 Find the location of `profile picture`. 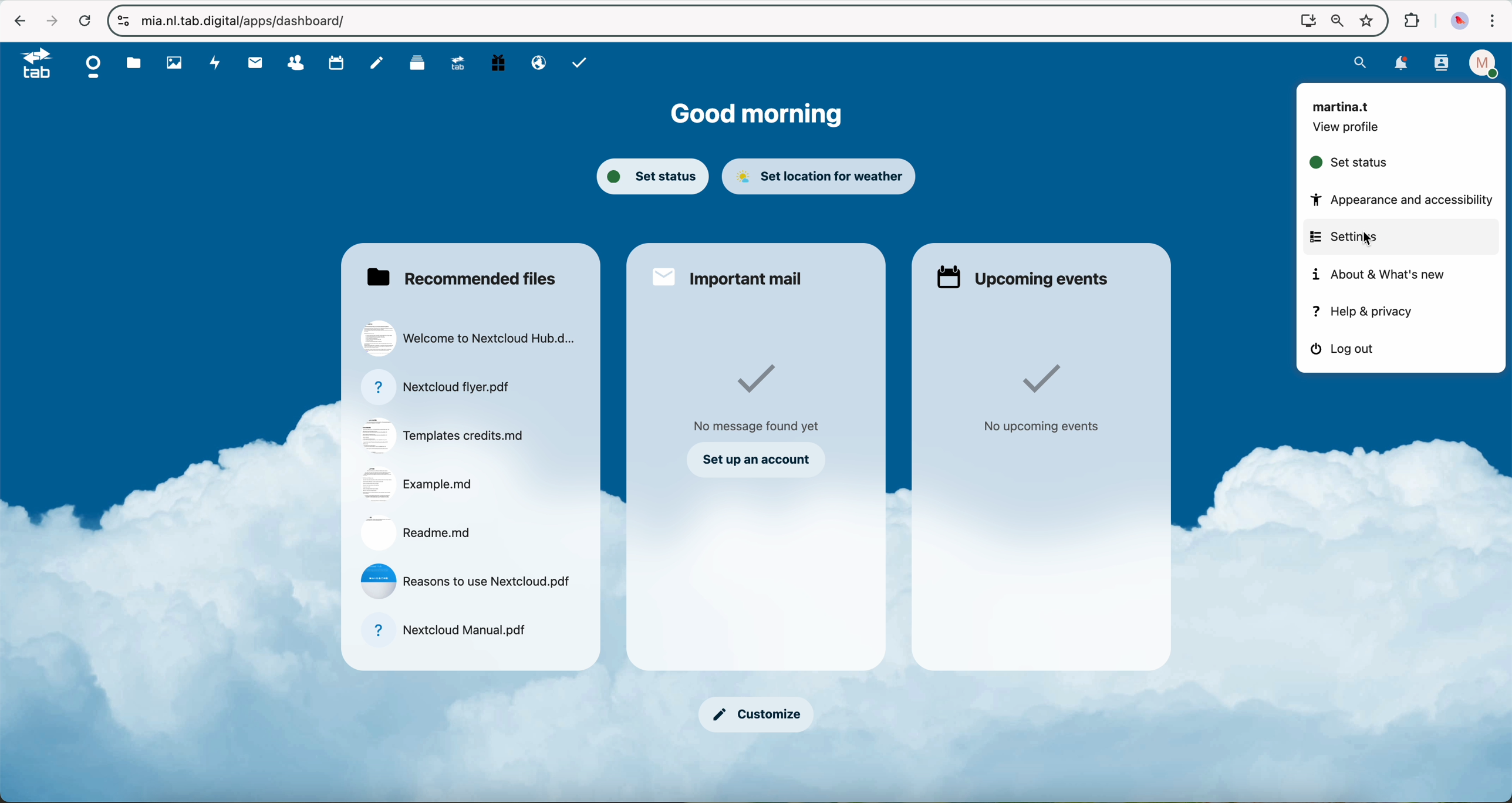

profile picture is located at coordinates (1460, 20).